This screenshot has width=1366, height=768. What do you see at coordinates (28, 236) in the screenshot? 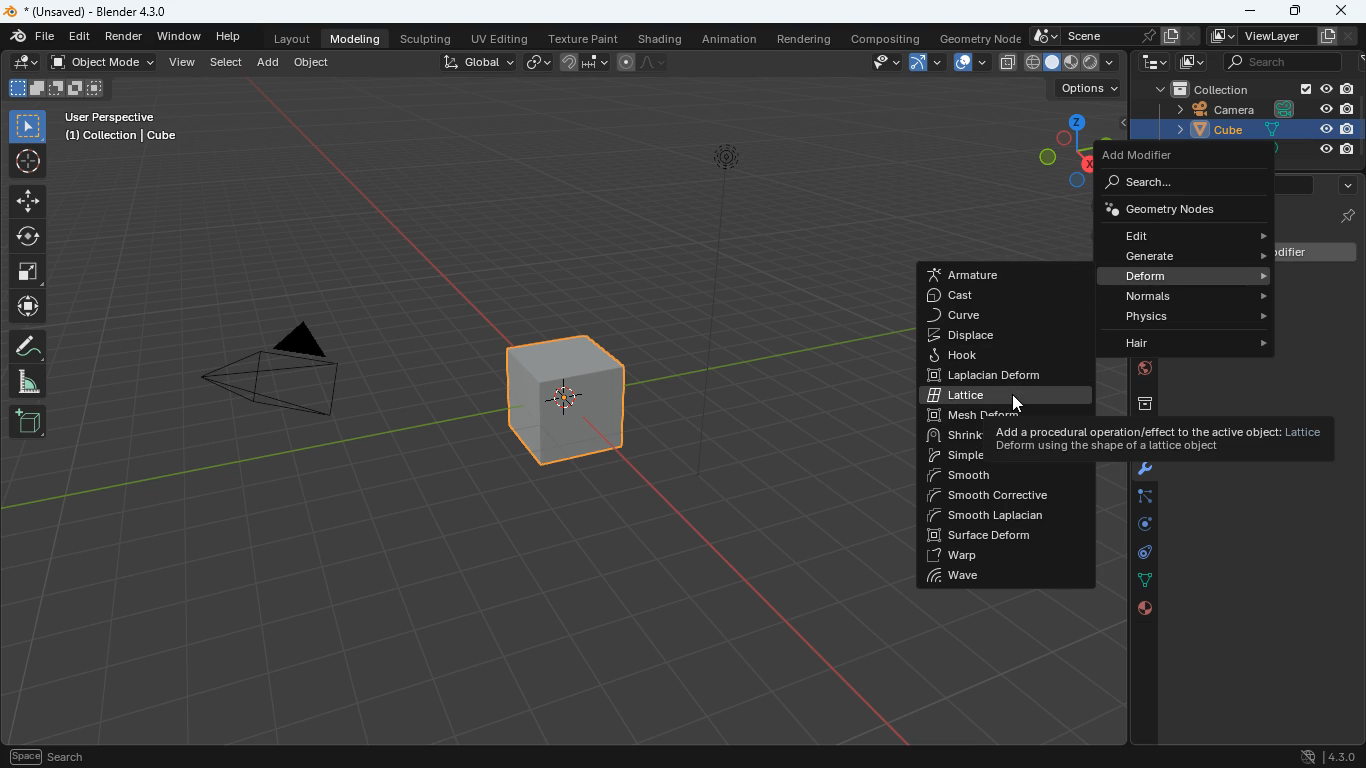
I see `rotate` at bounding box center [28, 236].